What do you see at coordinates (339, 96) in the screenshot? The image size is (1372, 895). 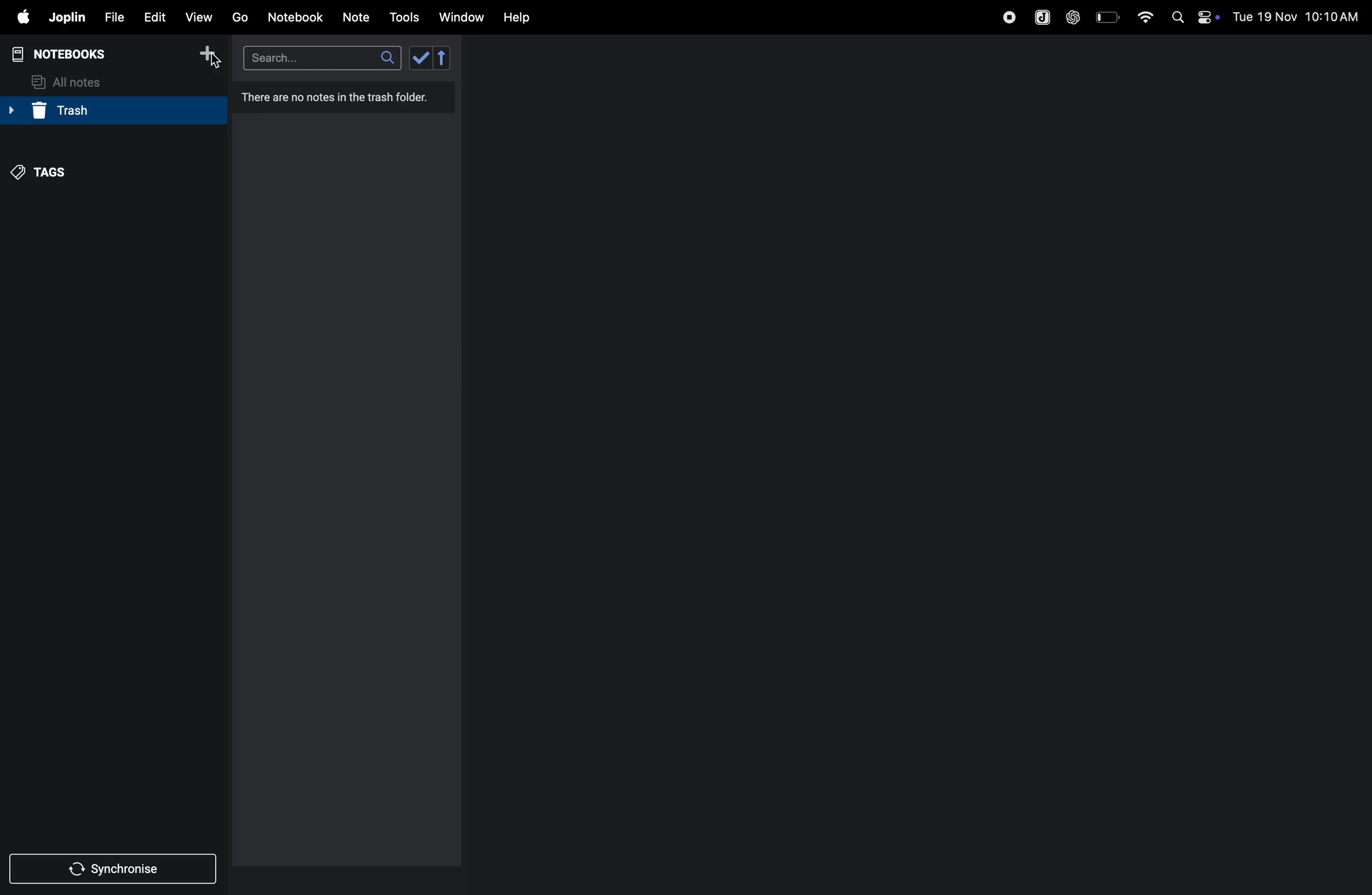 I see `there is no notes in trash folder` at bounding box center [339, 96].